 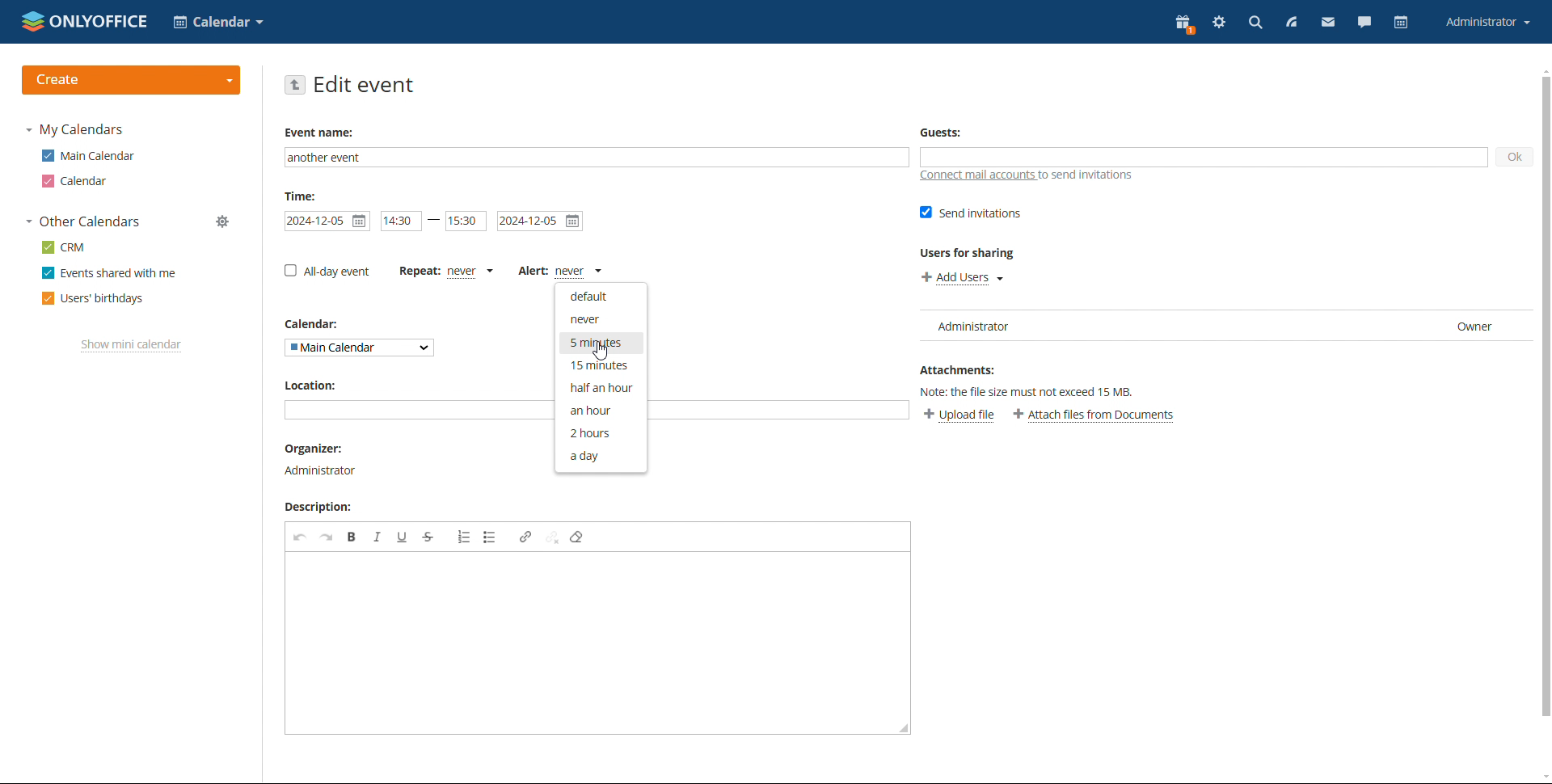 What do you see at coordinates (958, 368) in the screenshot?
I see `Attachments:` at bounding box center [958, 368].